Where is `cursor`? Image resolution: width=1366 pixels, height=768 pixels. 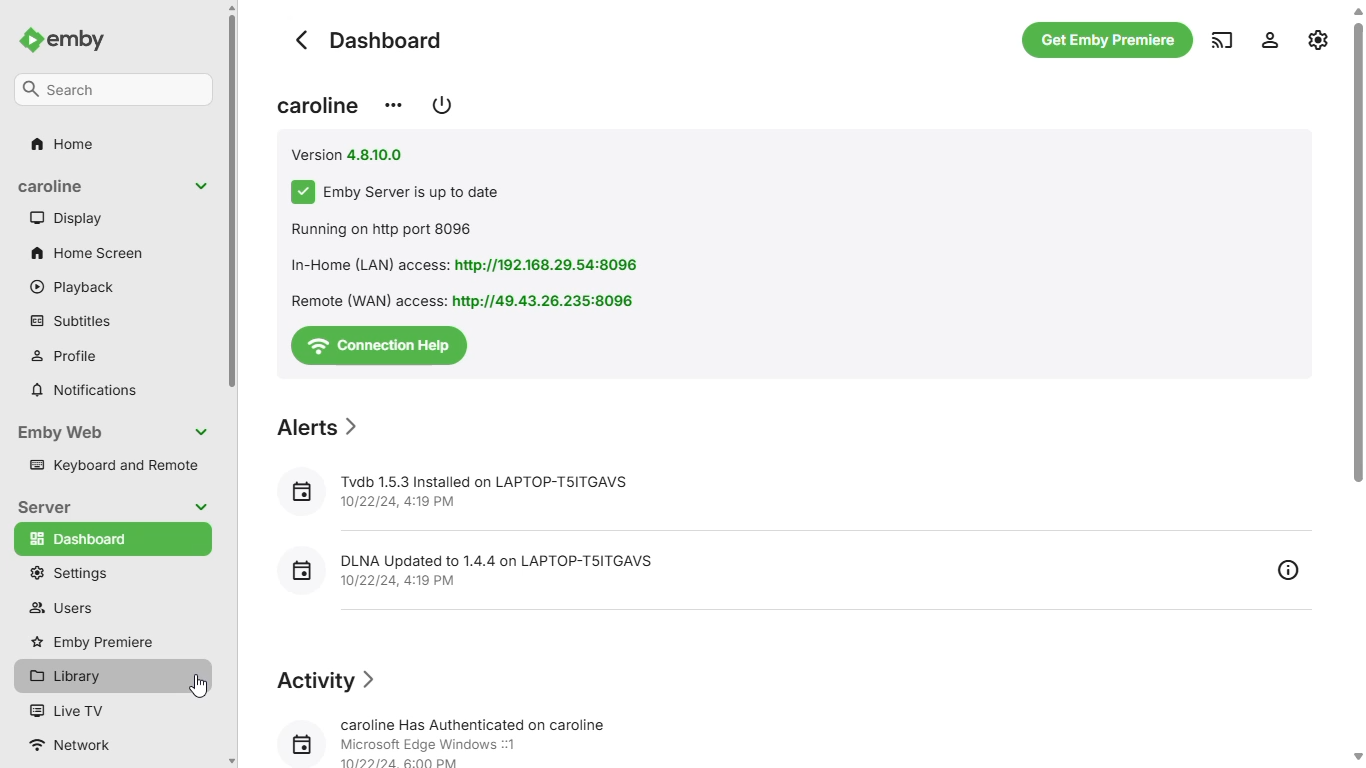
cursor is located at coordinates (198, 686).